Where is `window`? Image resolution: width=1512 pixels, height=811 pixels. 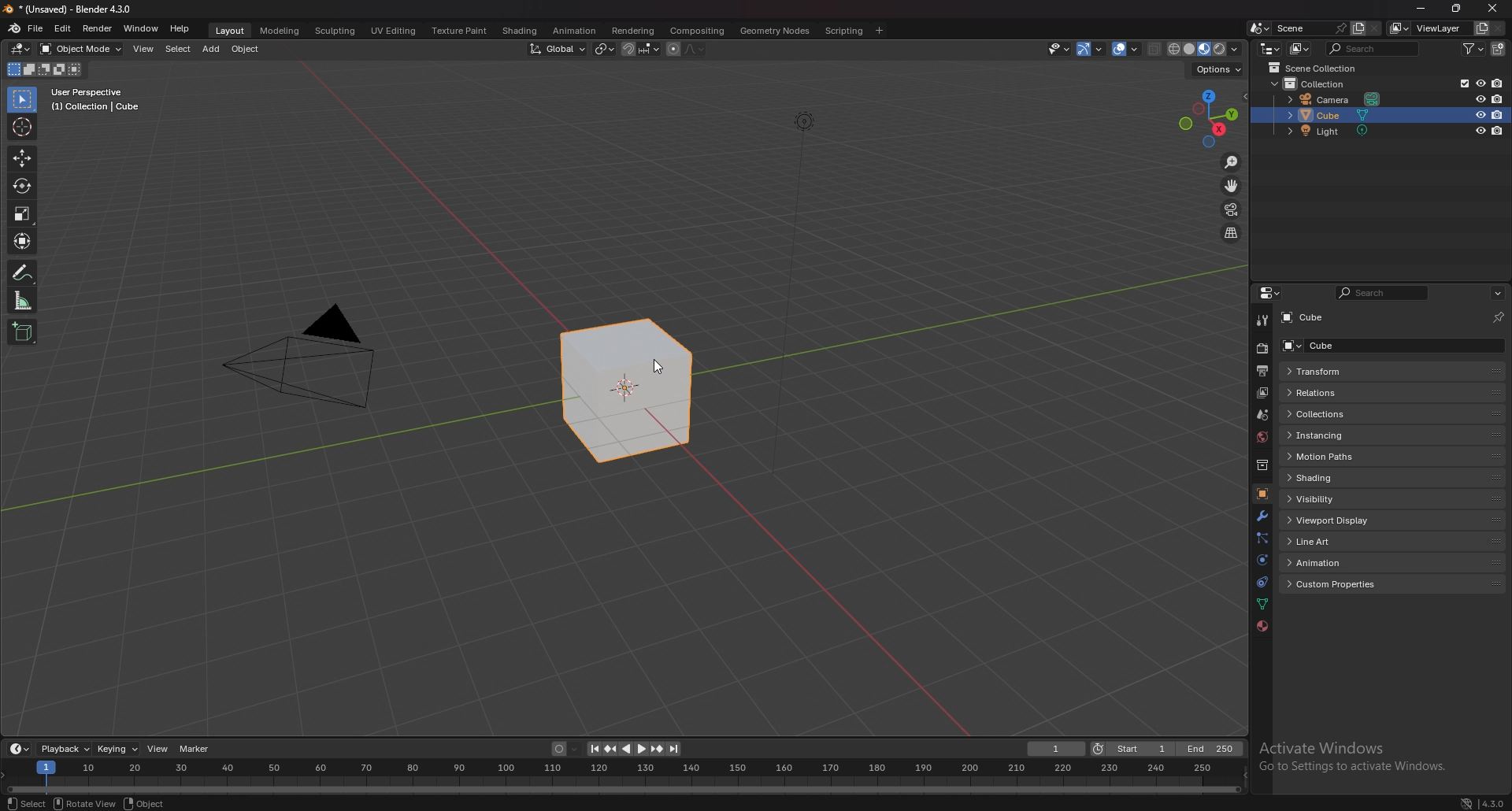 window is located at coordinates (141, 28).